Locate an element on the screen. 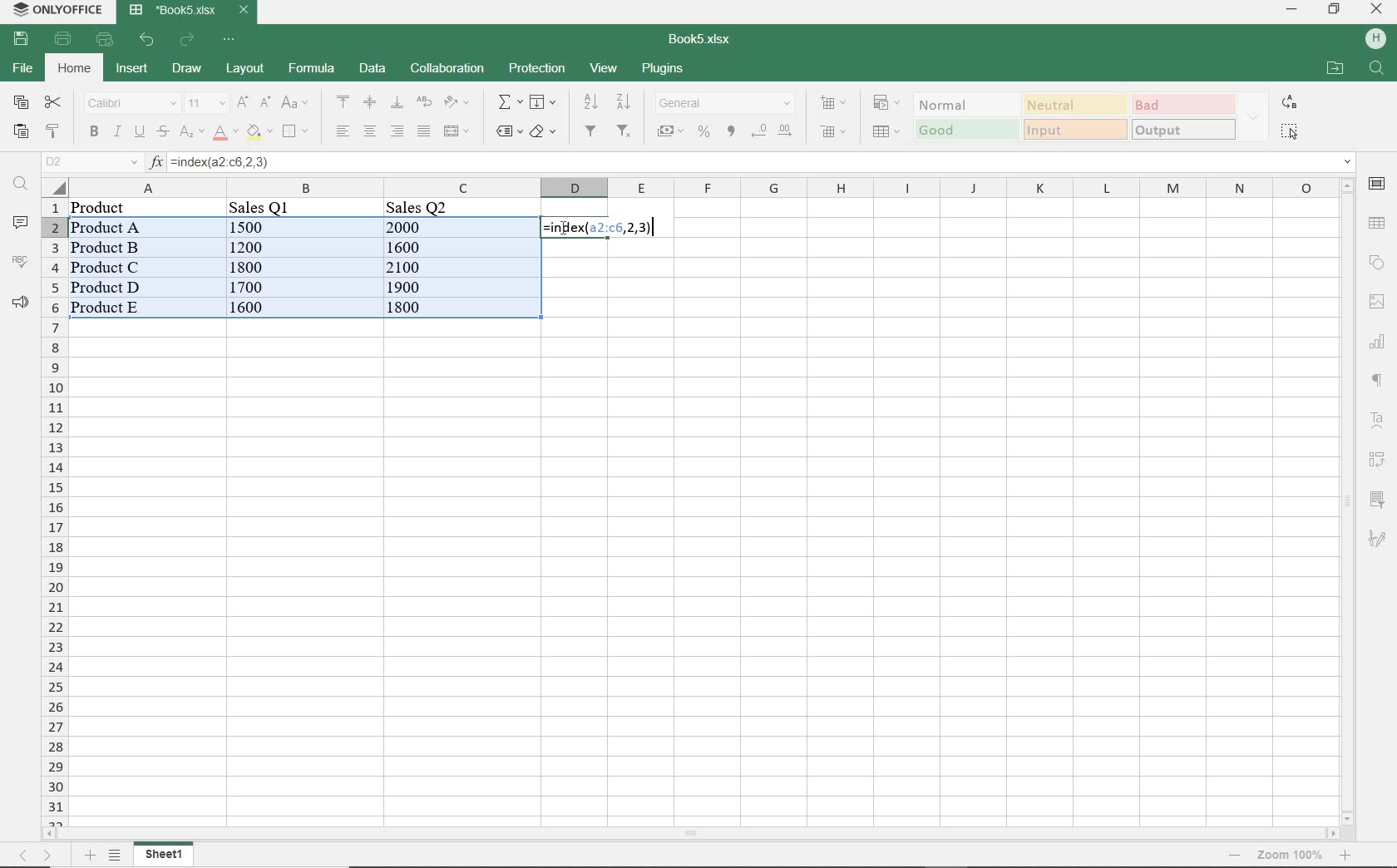 Image resolution: width=1397 pixels, height=868 pixels. insert cells is located at coordinates (831, 104).